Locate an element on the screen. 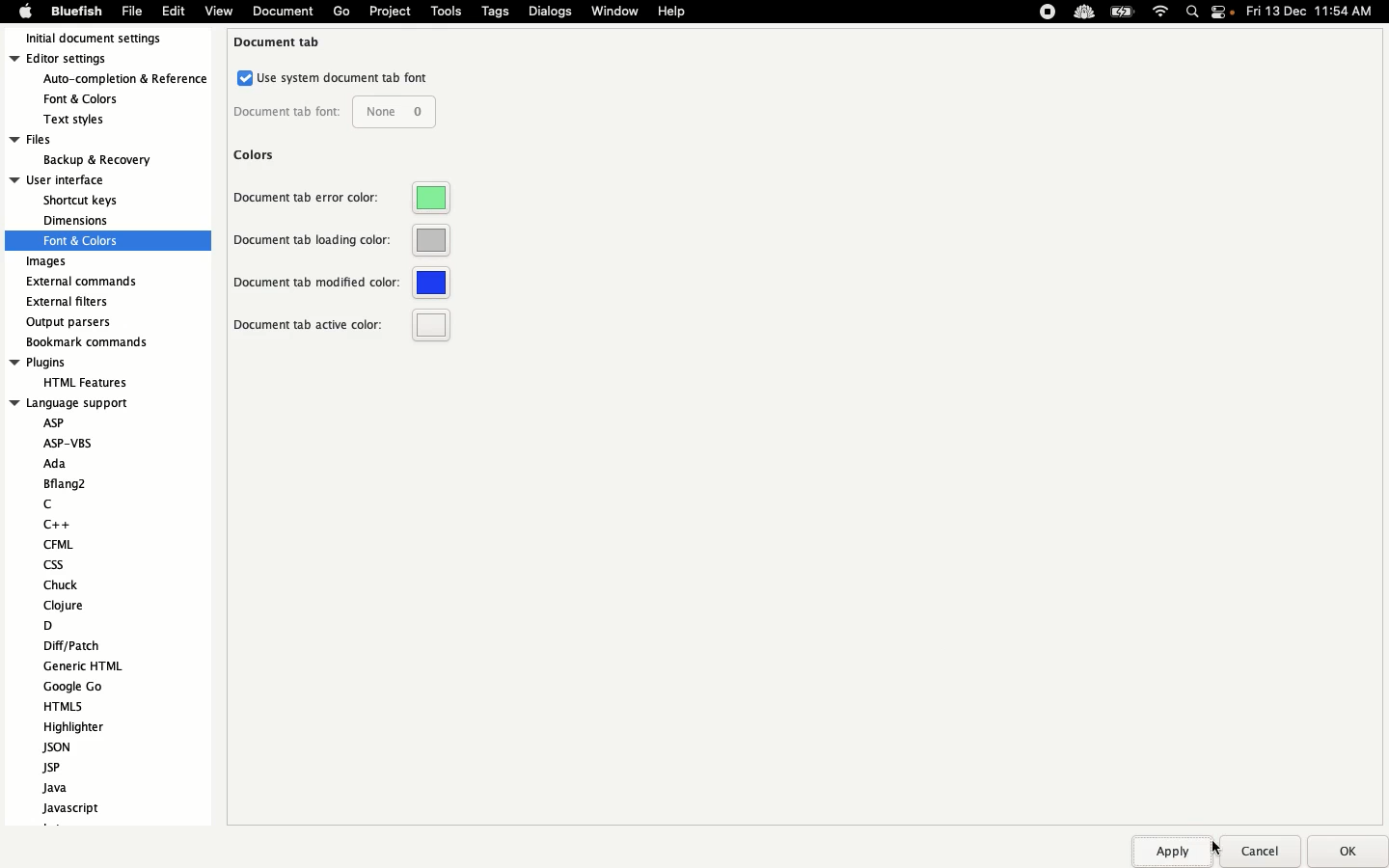  Colors  is located at coordinates (257, 154).